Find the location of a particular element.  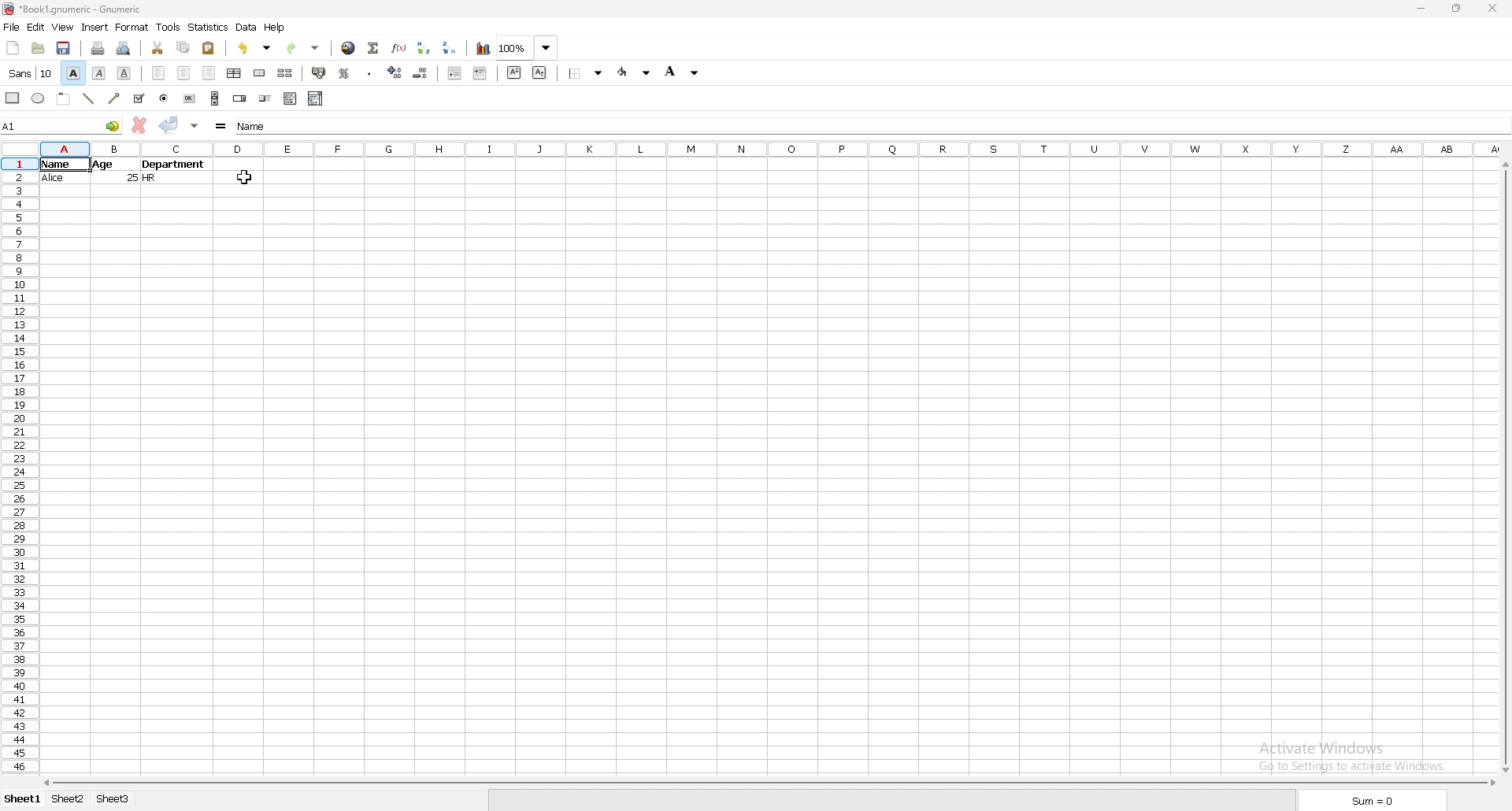

superscript is located at coordinates (514, 72).